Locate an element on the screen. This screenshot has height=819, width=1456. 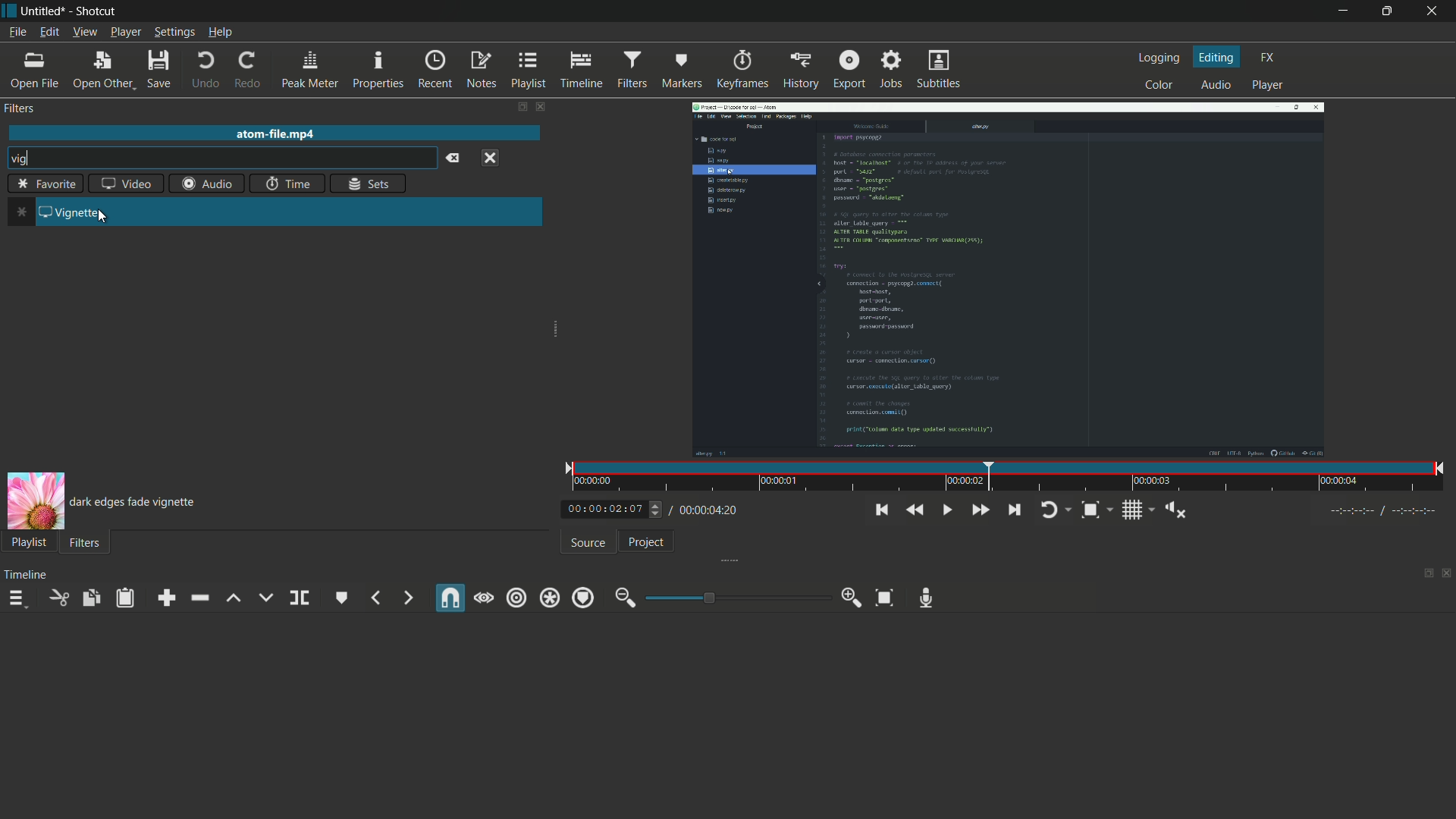
Audio is located at coordinates (207, 184).